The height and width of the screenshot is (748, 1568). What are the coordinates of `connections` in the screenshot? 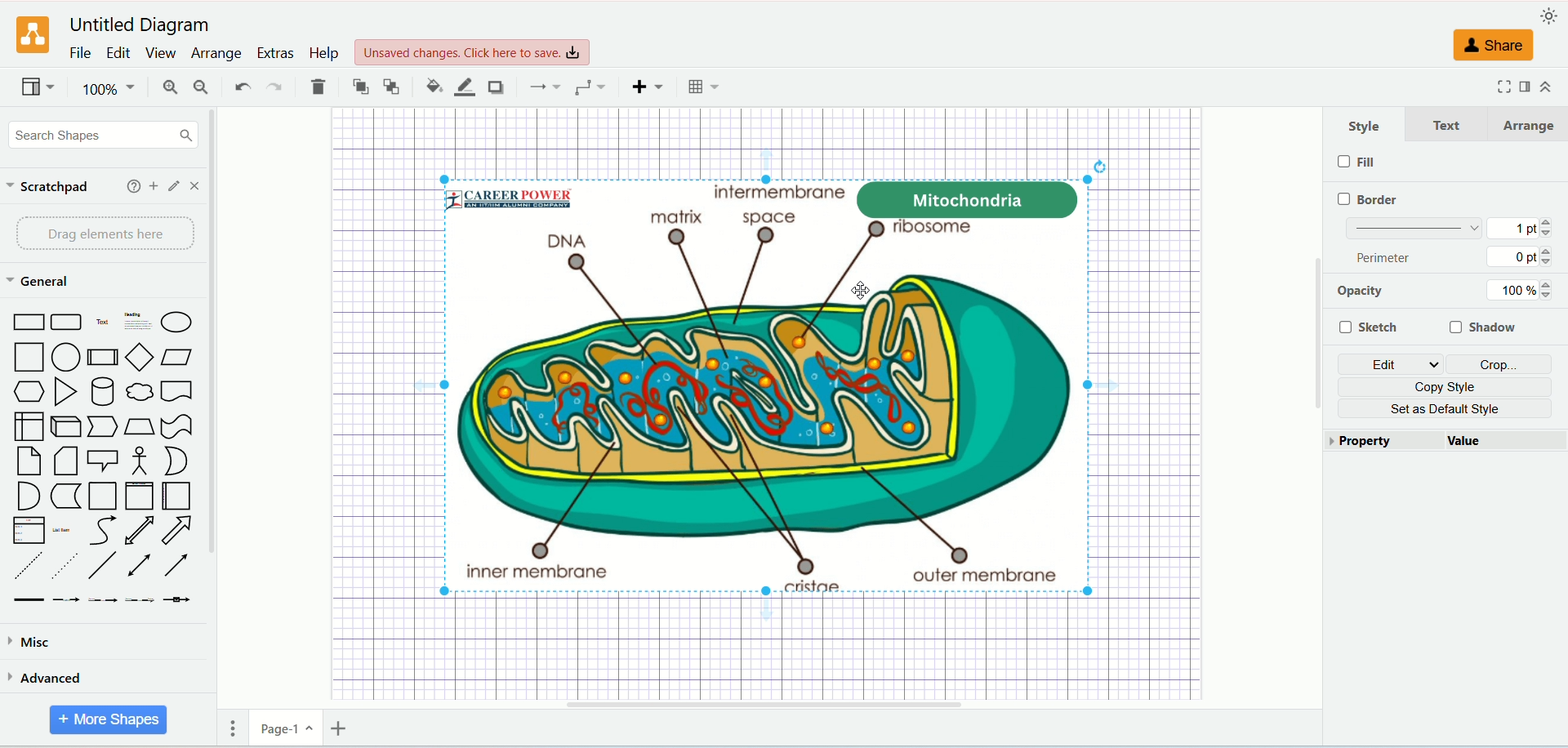 It's located at (545, 87).